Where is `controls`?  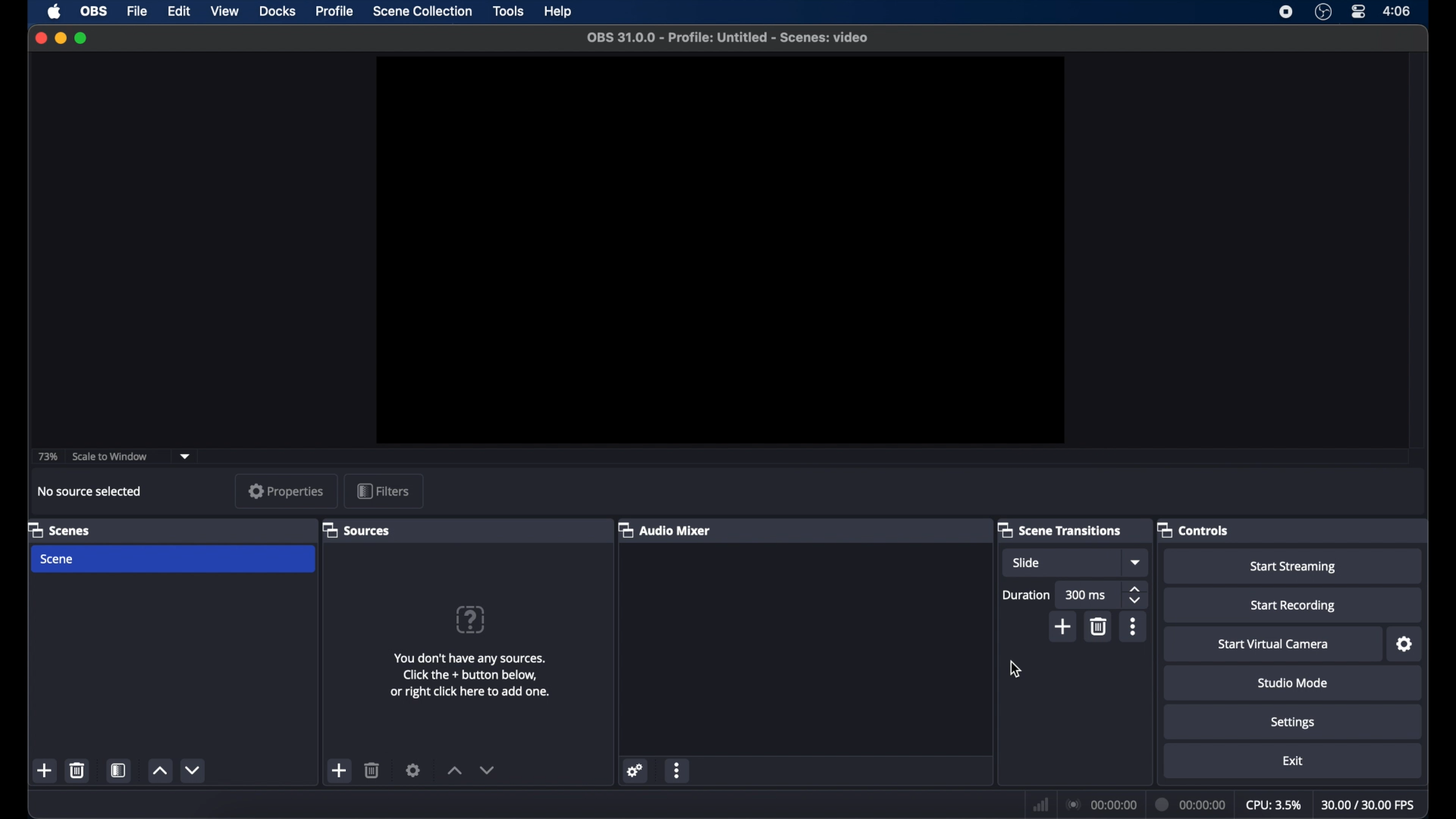 controls is located at coordinates (1194, 531).